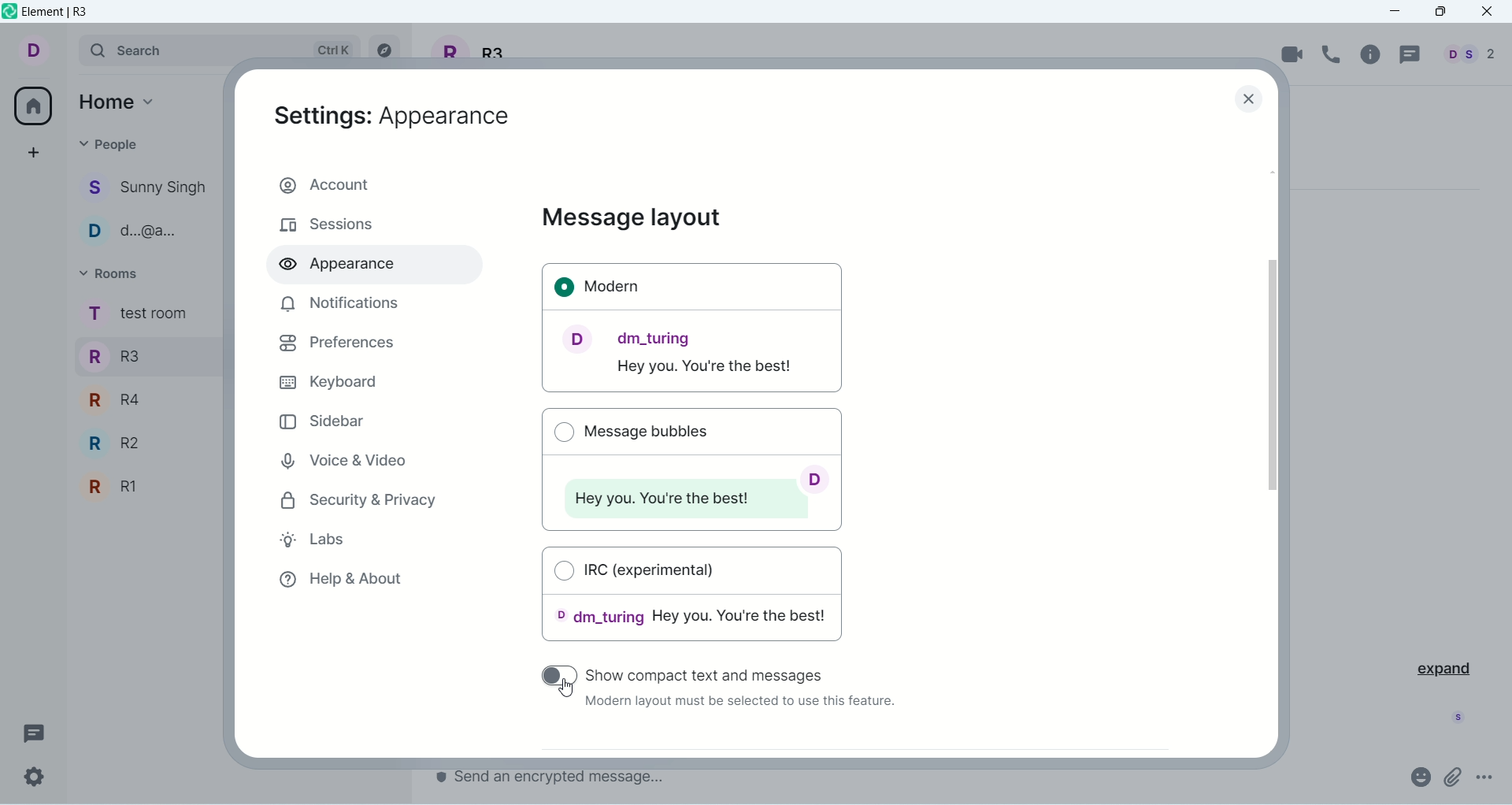 This screenshot has width=1512, height=805. Describe the element at coordinates (1488, 777) in the screenshot. I see `More Options` at that location.